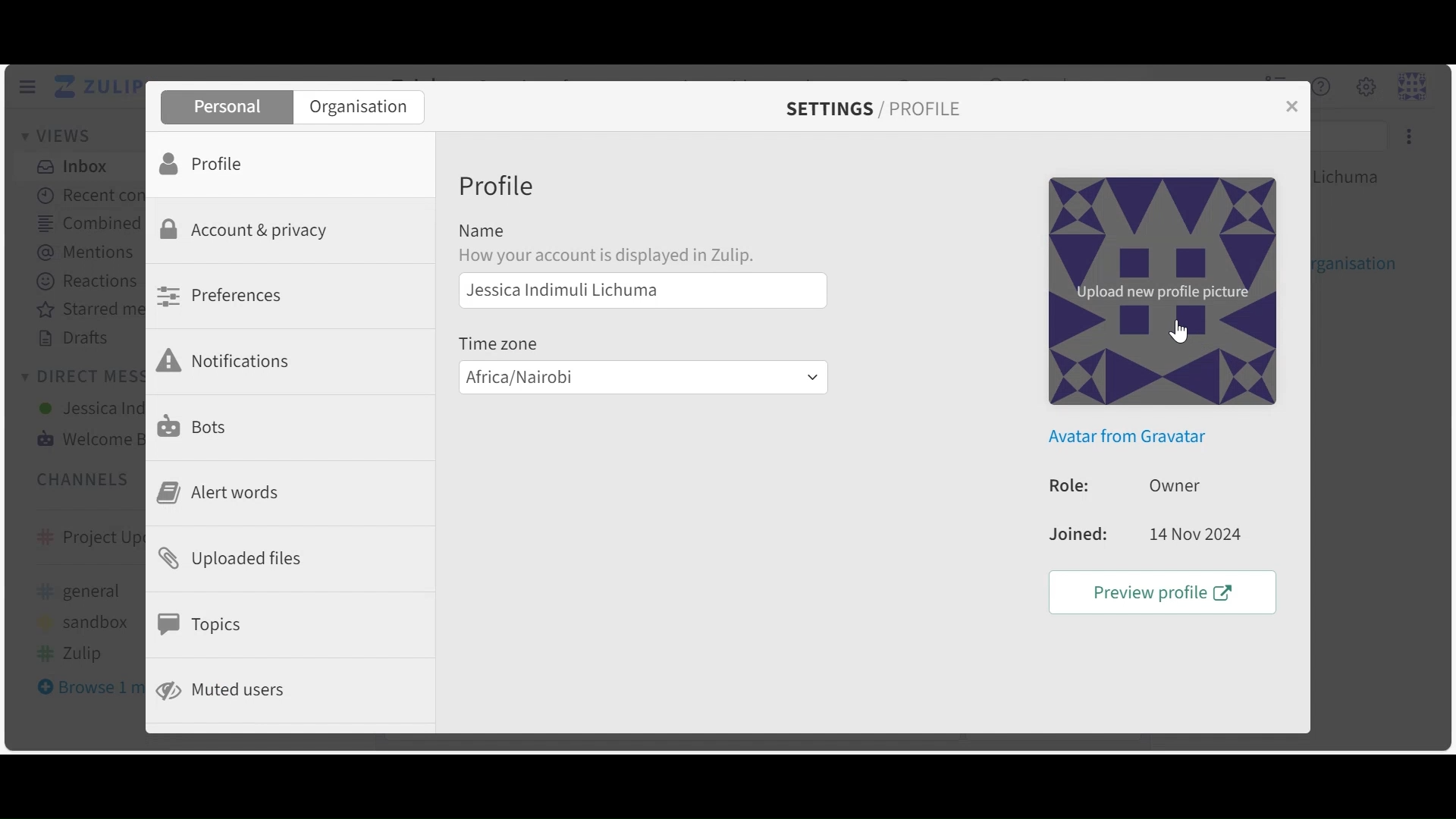 The width and height of the screenshot is (1456, 819). What do you see at coordinates (229, 690) in the screenshot?
I see `Muted Users` at bounding box center [229, 690].